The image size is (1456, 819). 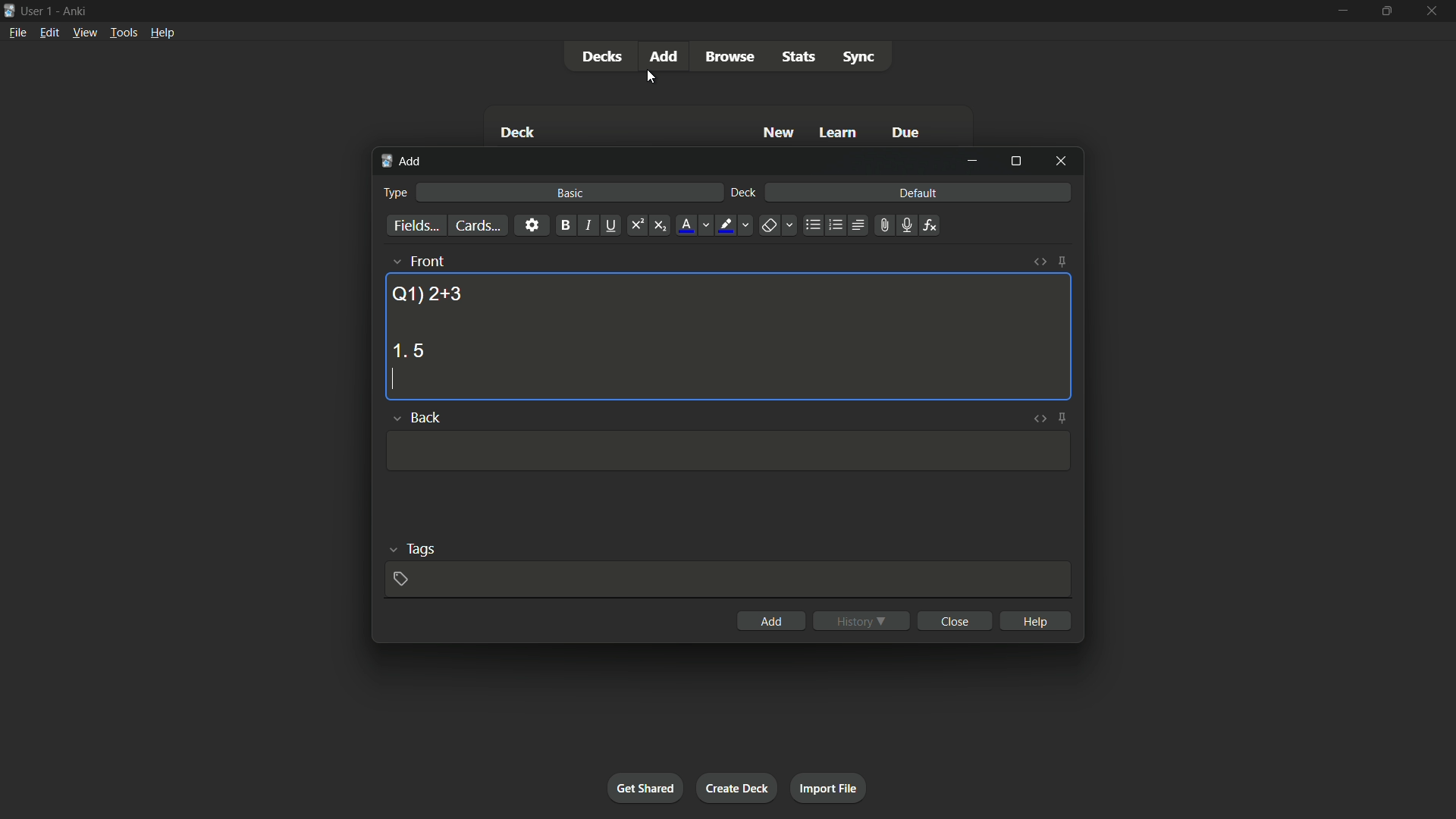 What do you see at coordinates (123, 32) in the screenshot?
I see `tools menu` at bounding box center [123, 32].